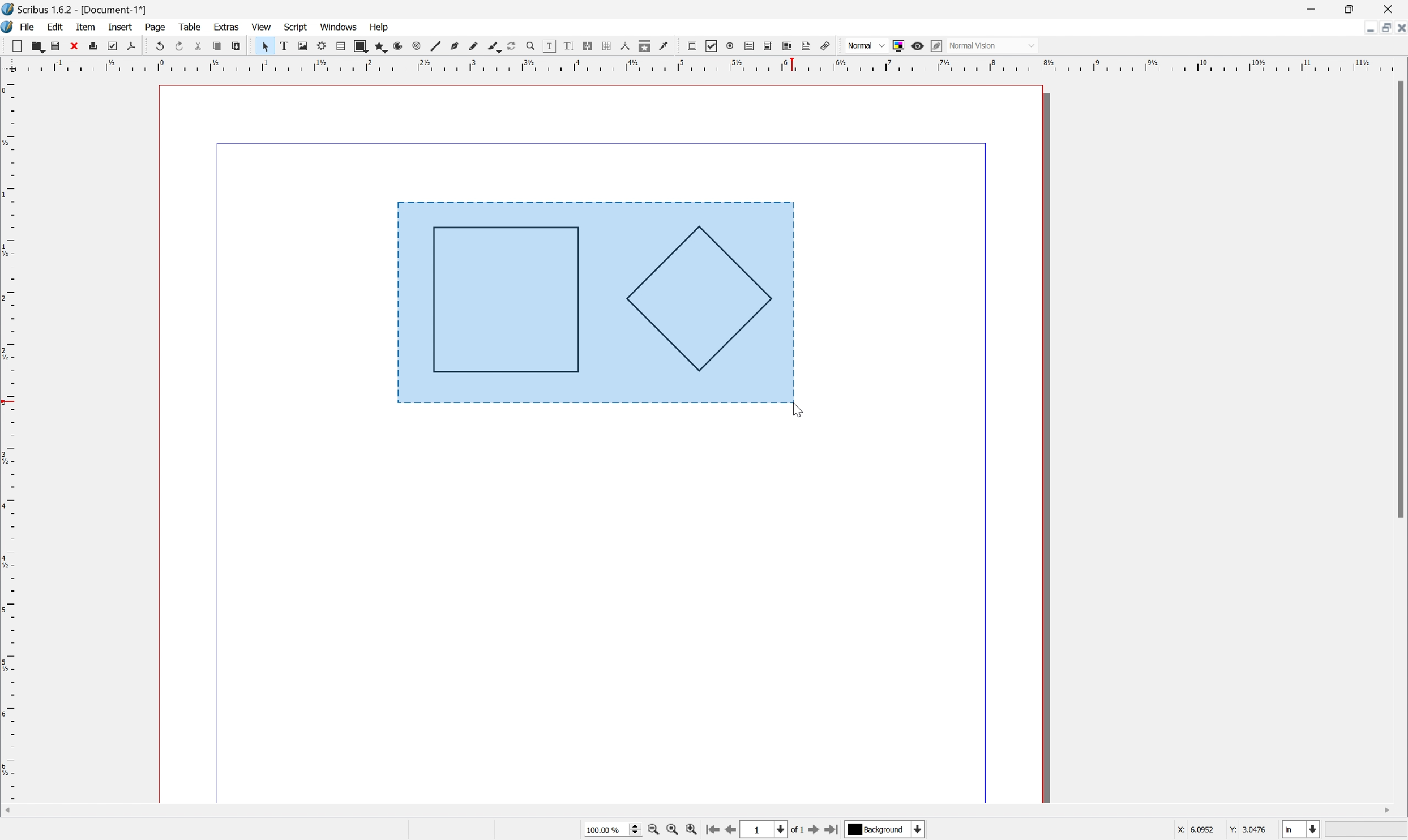 This screenshot has height=840, width=1408. Describe the element at coordinates (994, 44) in the screenshot. I see `Normal Vision` at that location.